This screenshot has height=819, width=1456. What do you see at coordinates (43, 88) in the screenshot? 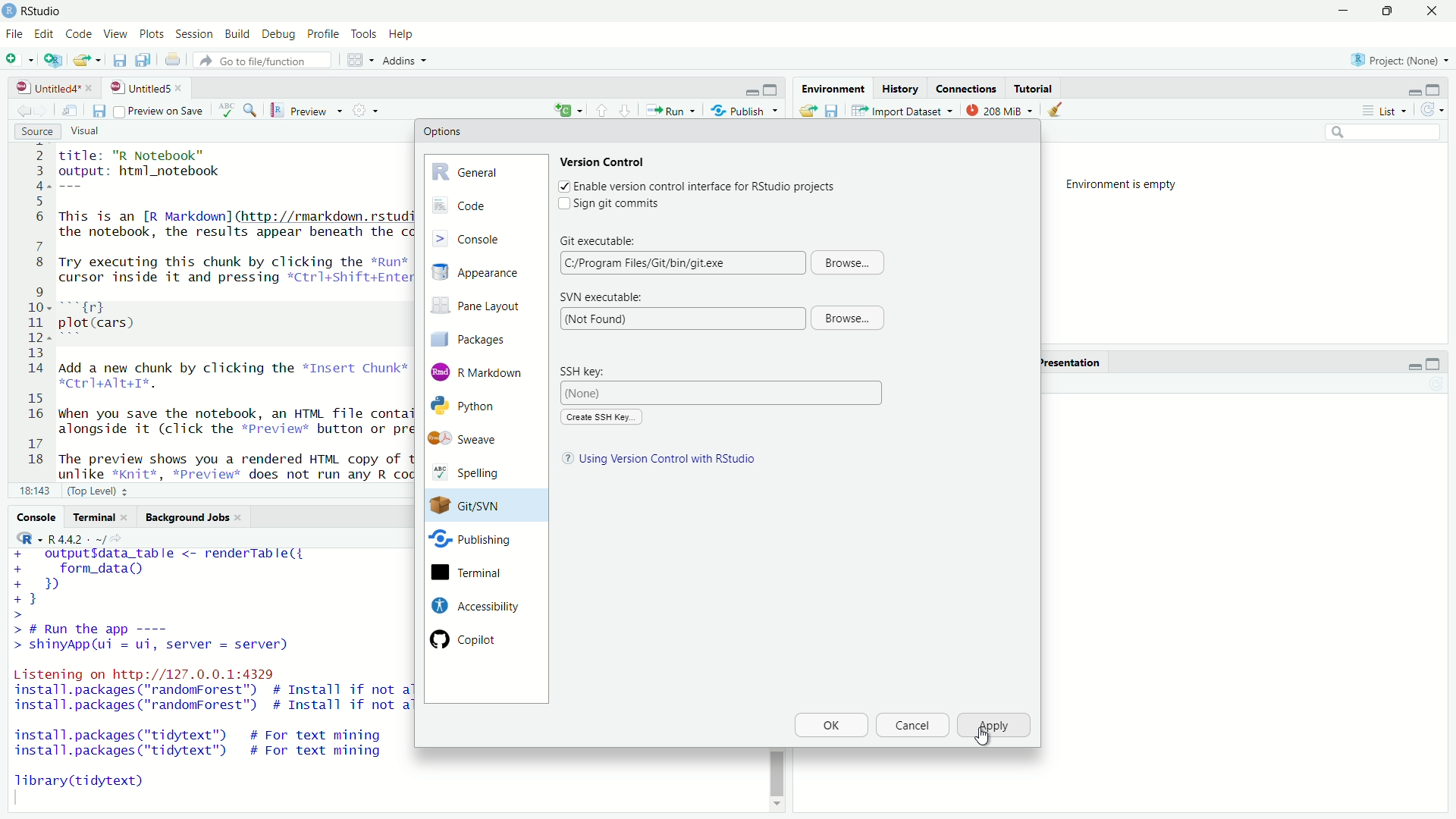
I see `Untitled4` at bounding box center [43, 88].